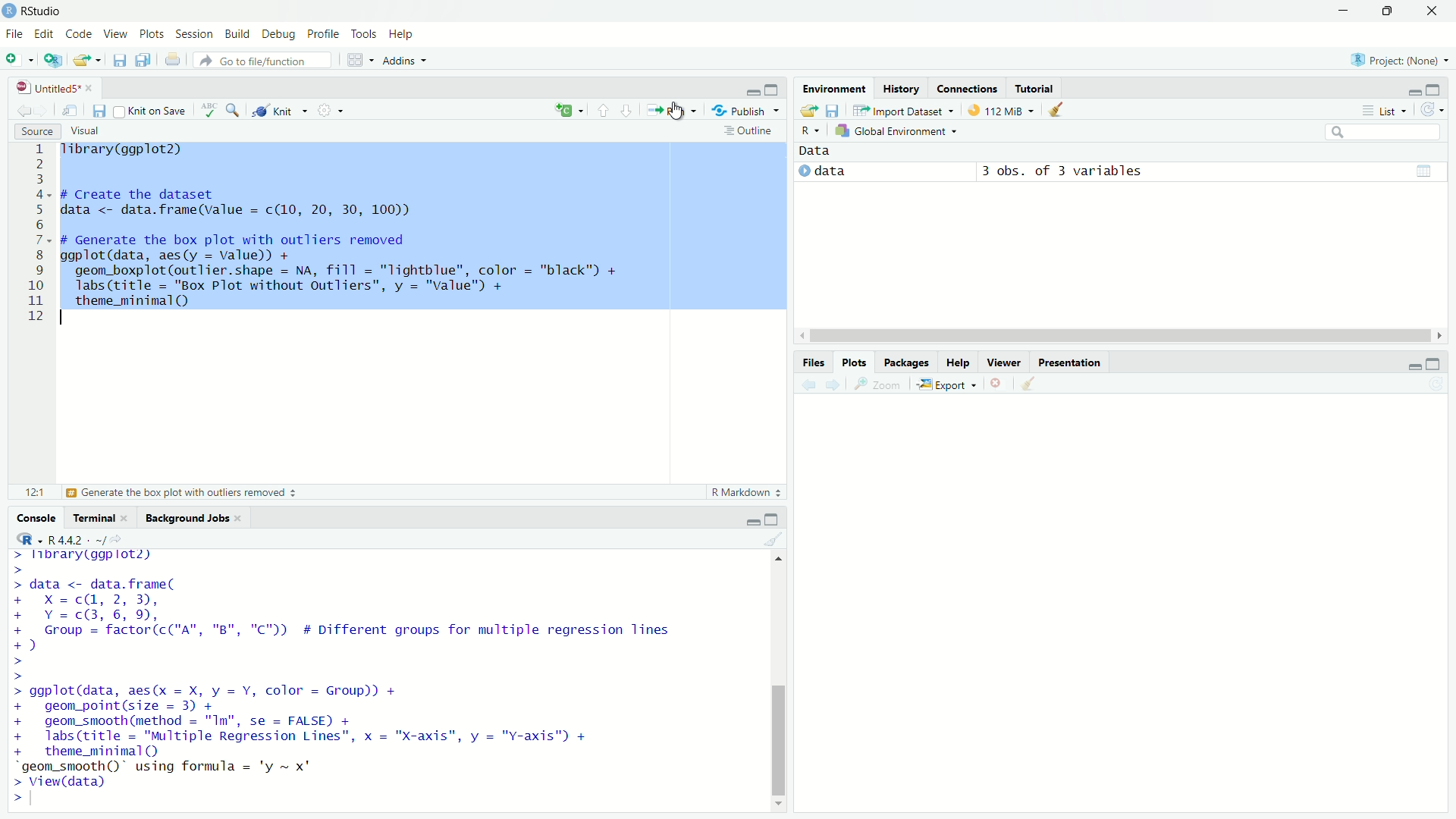 This screenshot has width=1456, height=819. I want to click on settings, so click(322, 111).